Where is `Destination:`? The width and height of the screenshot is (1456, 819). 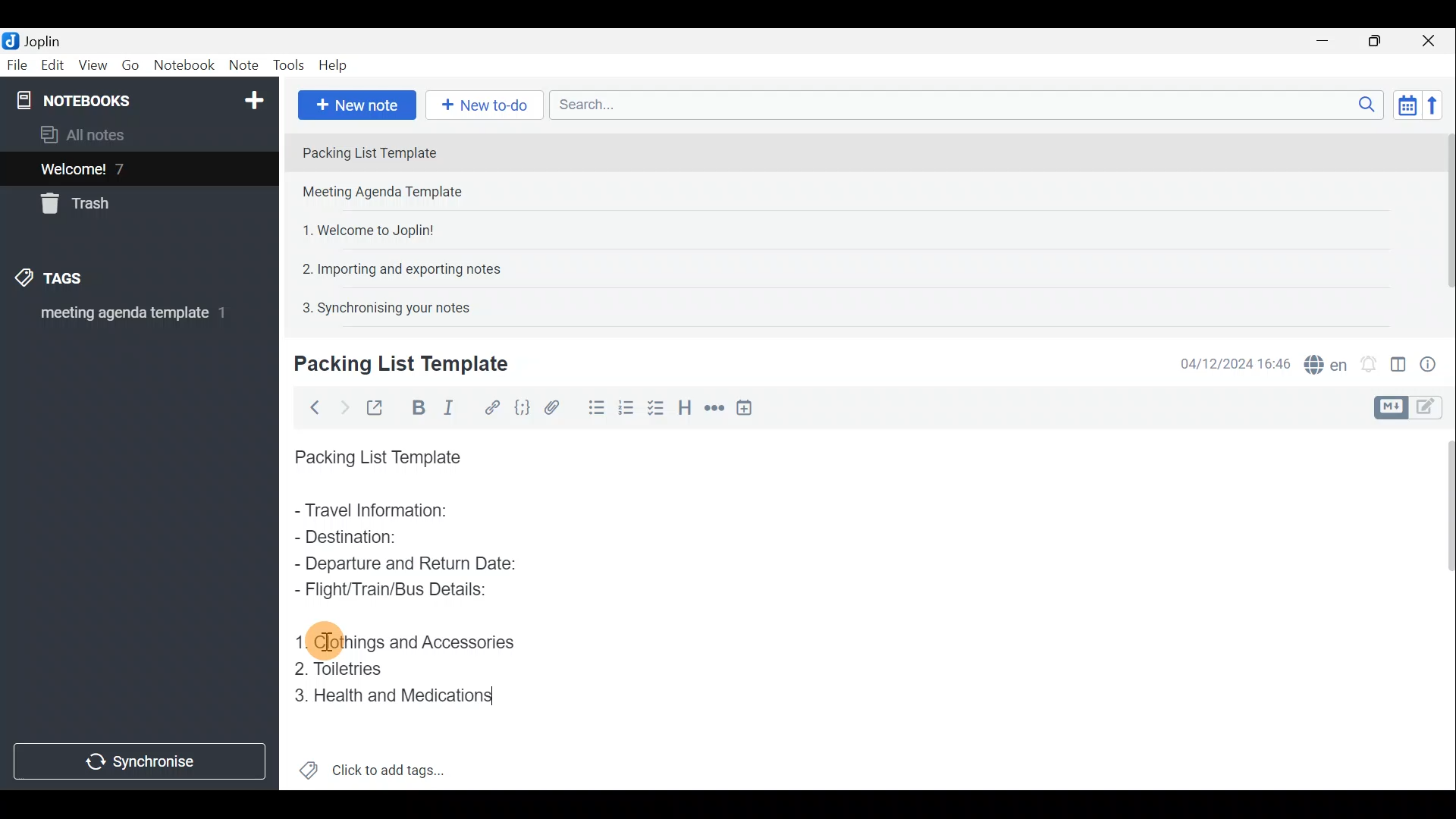
Destination: is located at coordinates (385, 538).